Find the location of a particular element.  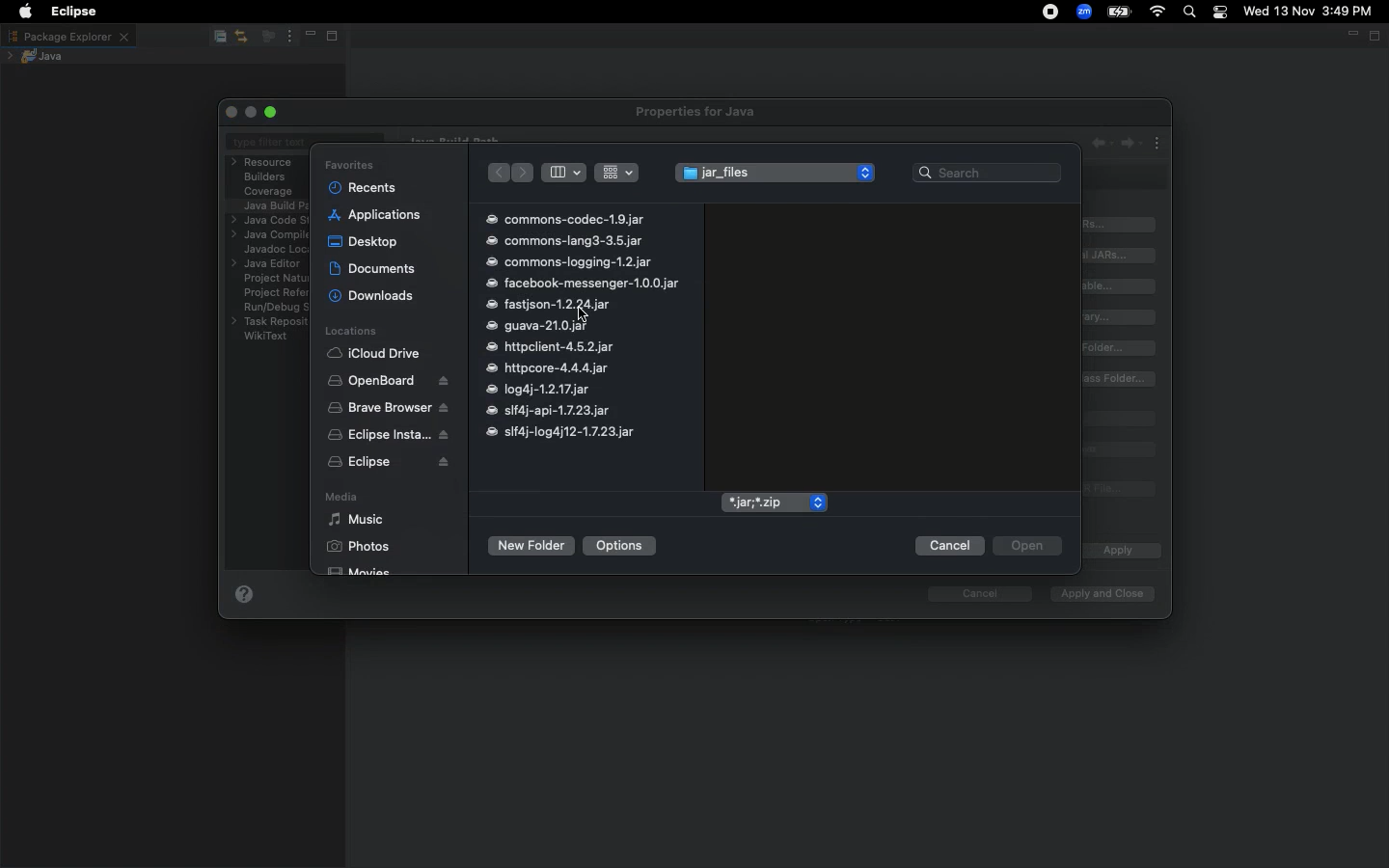

Task repository is located at coordinates (270, 322).